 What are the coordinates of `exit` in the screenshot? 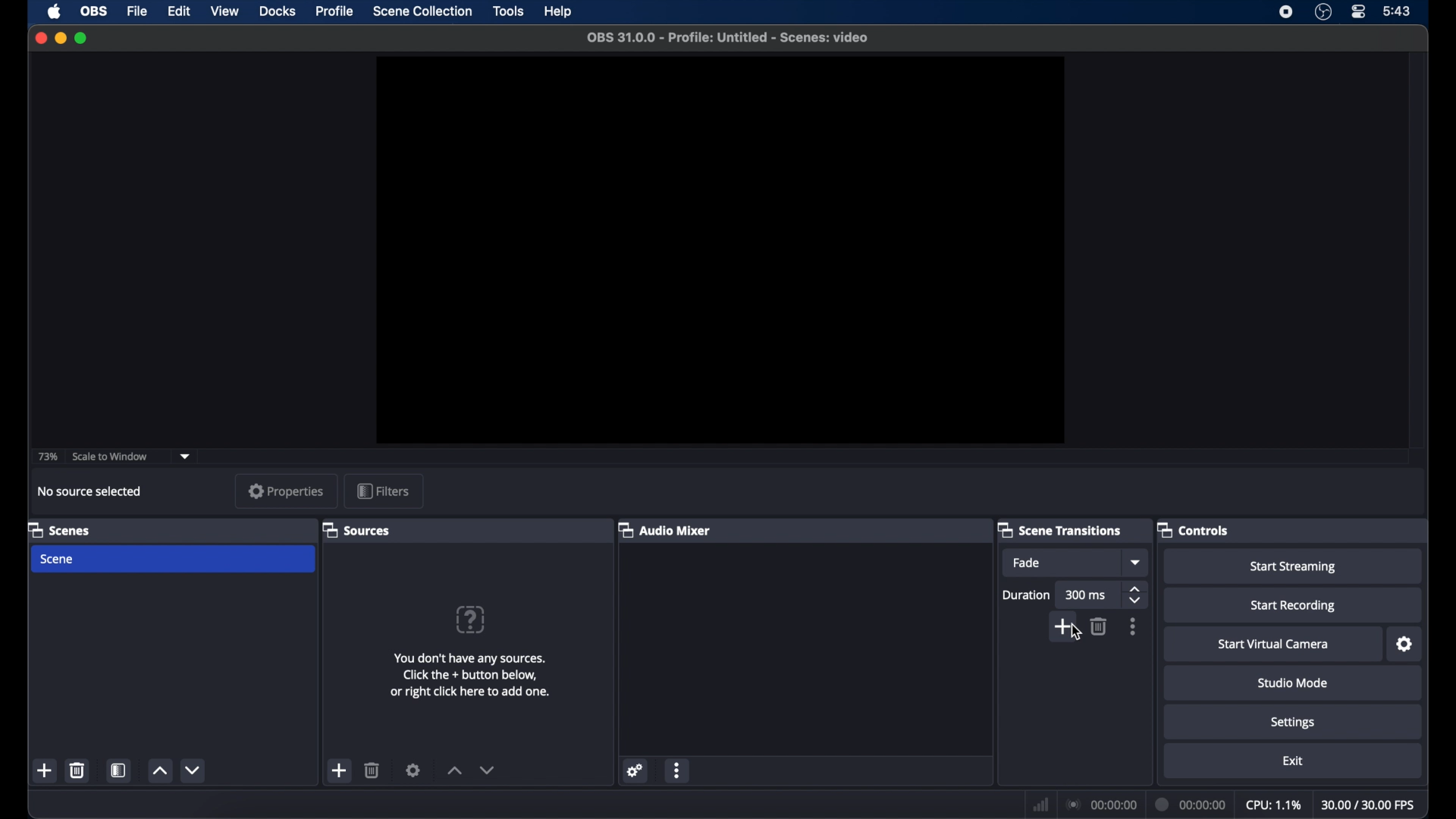 It's located at (1295, 761).